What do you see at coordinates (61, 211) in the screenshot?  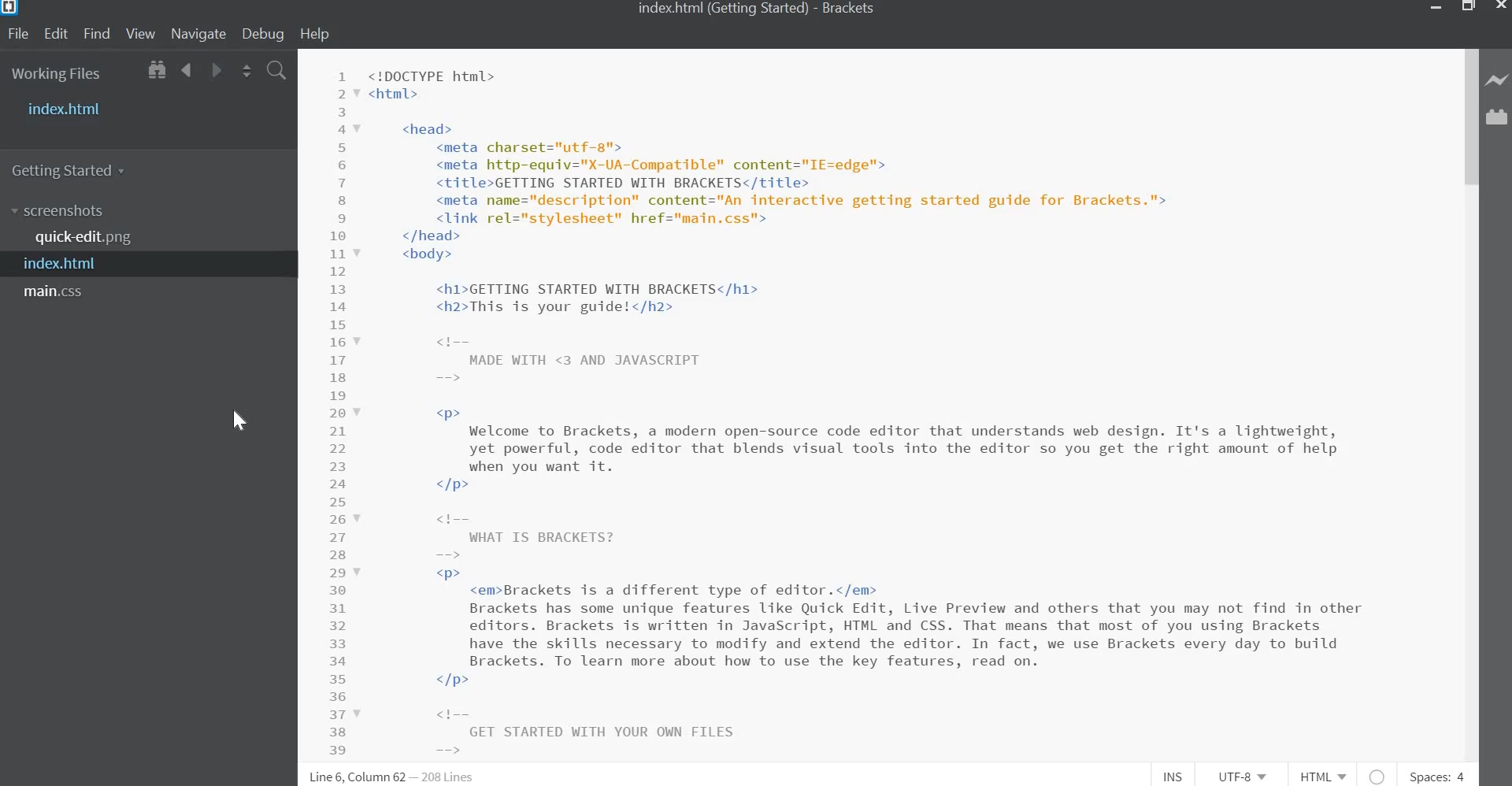 I see `Screenshots` at bounding box center [61, 211].